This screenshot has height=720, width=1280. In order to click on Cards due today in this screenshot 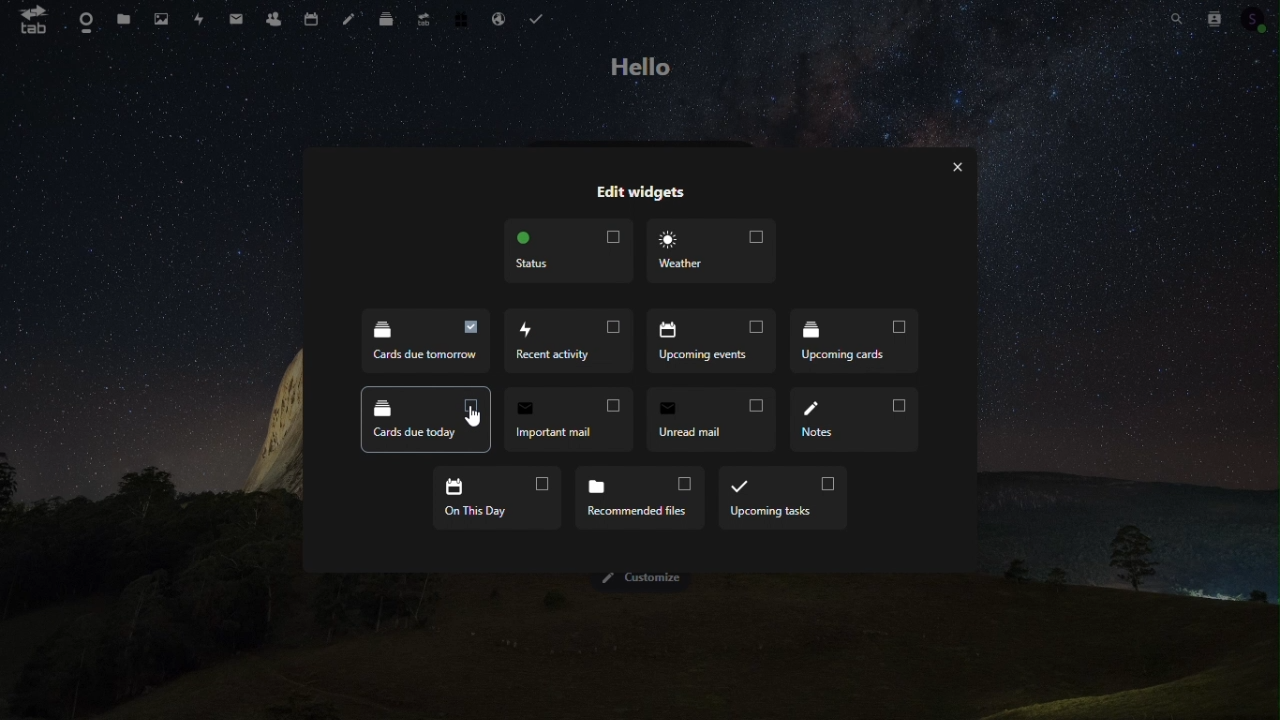, I will do `click(426, 419)`.